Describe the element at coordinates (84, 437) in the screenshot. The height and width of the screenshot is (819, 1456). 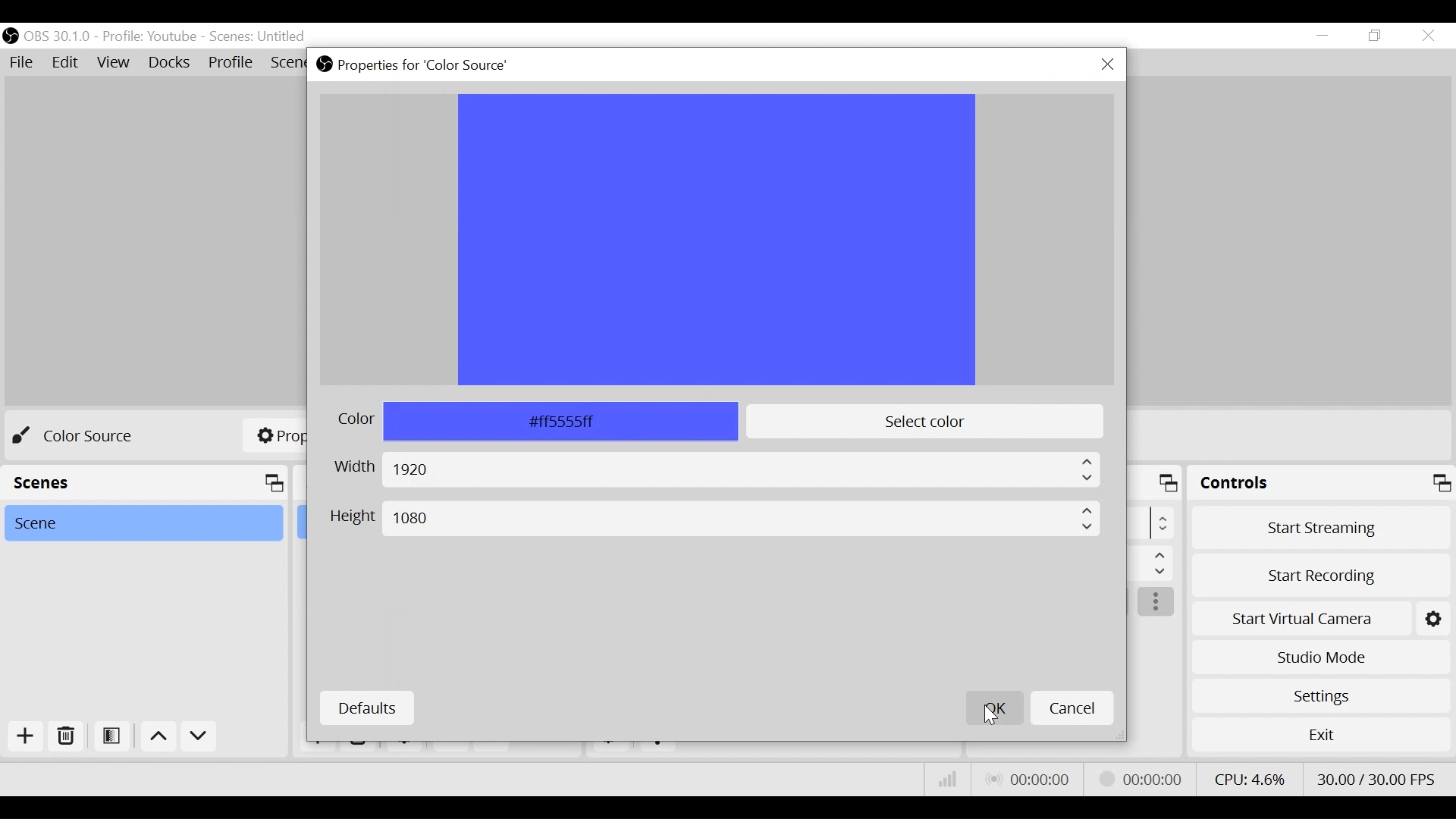
I see `No source selected` at that location.